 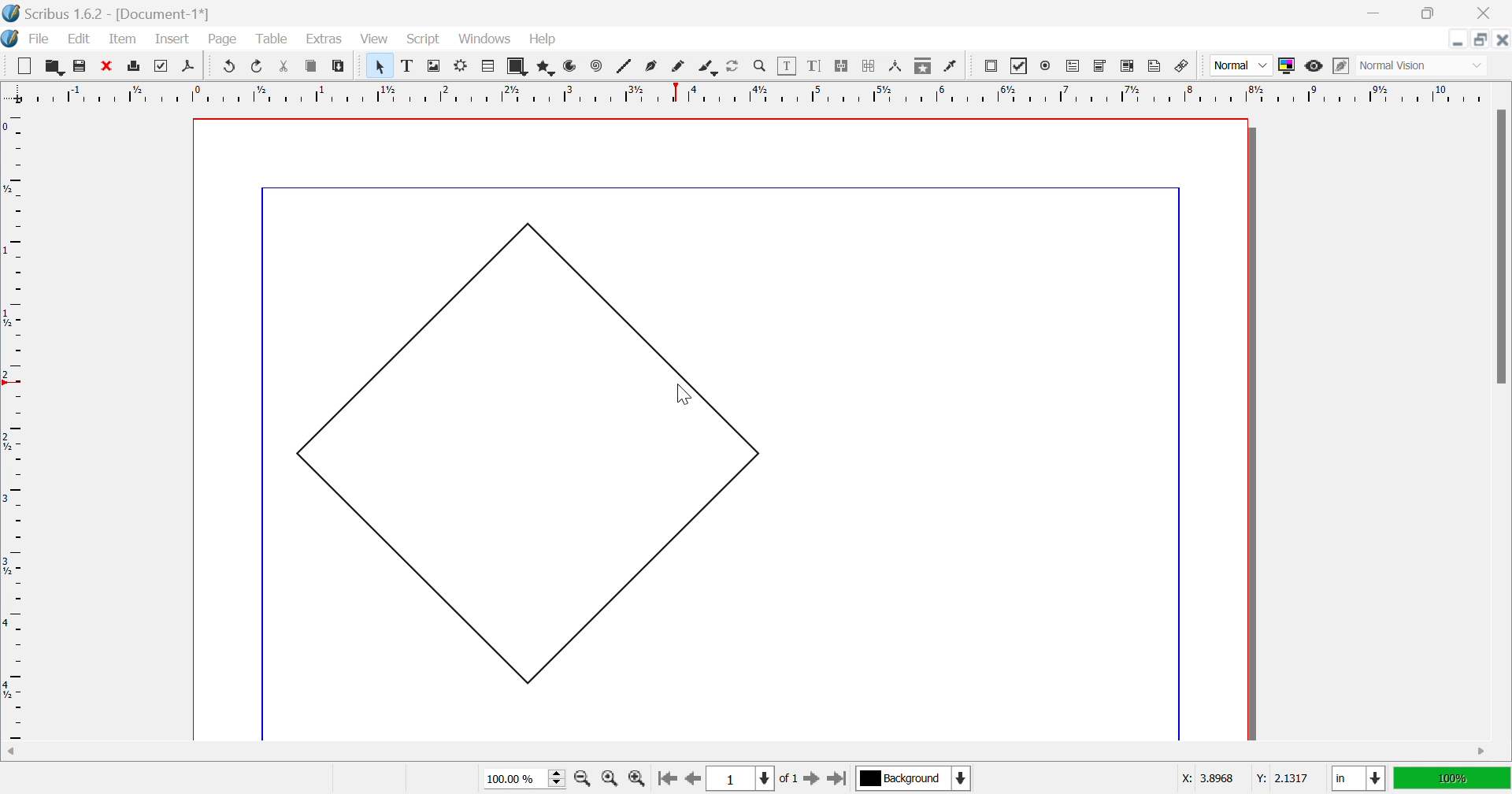 I want to click on Minimize, so click(x=1377, y=13).